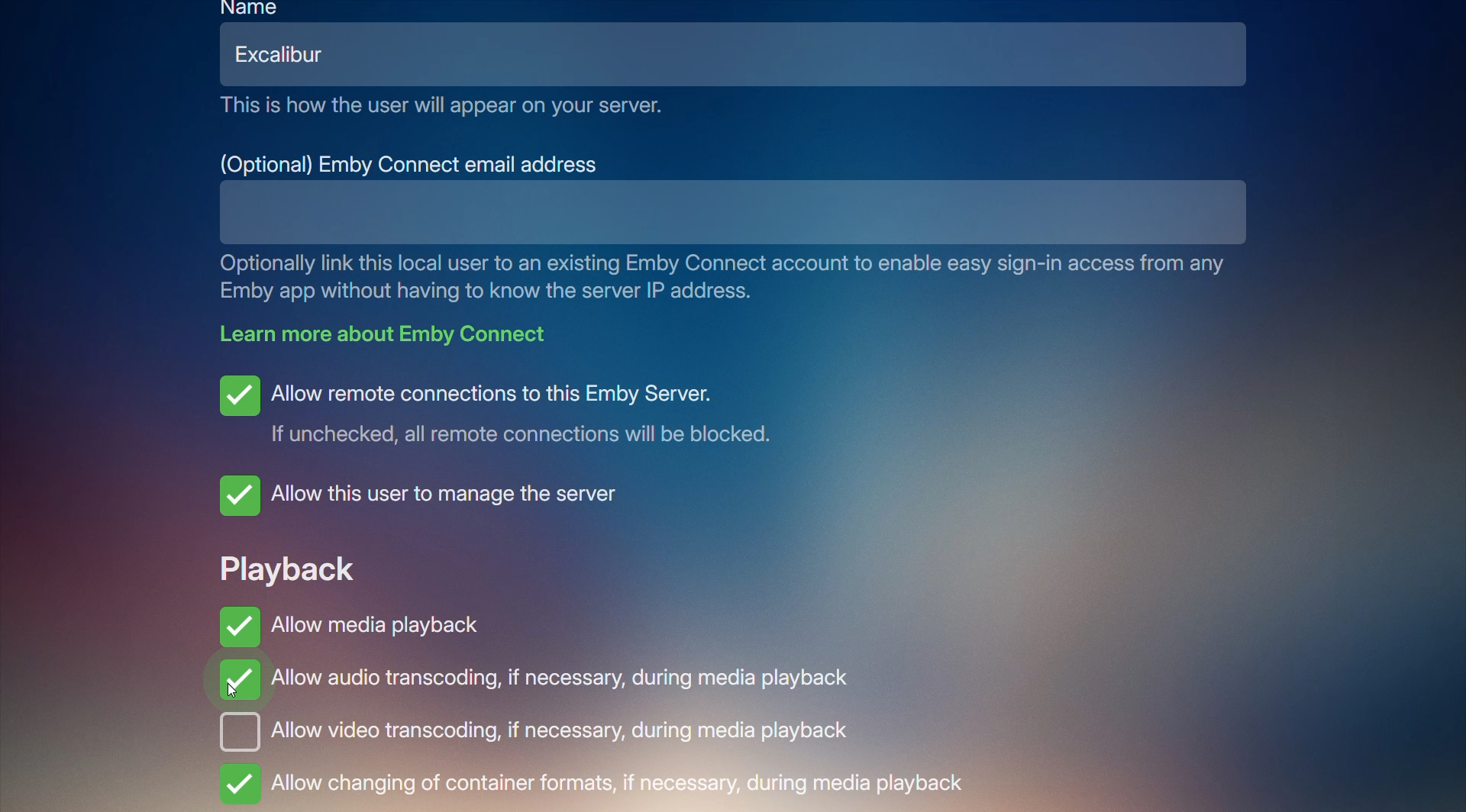 The width and height of the screenshot is (1466, 812). Describe the element at coordinates (731, 278) in the screenshot. I see `Optionally link this local user to an existing Emby Connect account to enable easy sign-in access from any
Emby app without having to know the server IP address.` at that location.